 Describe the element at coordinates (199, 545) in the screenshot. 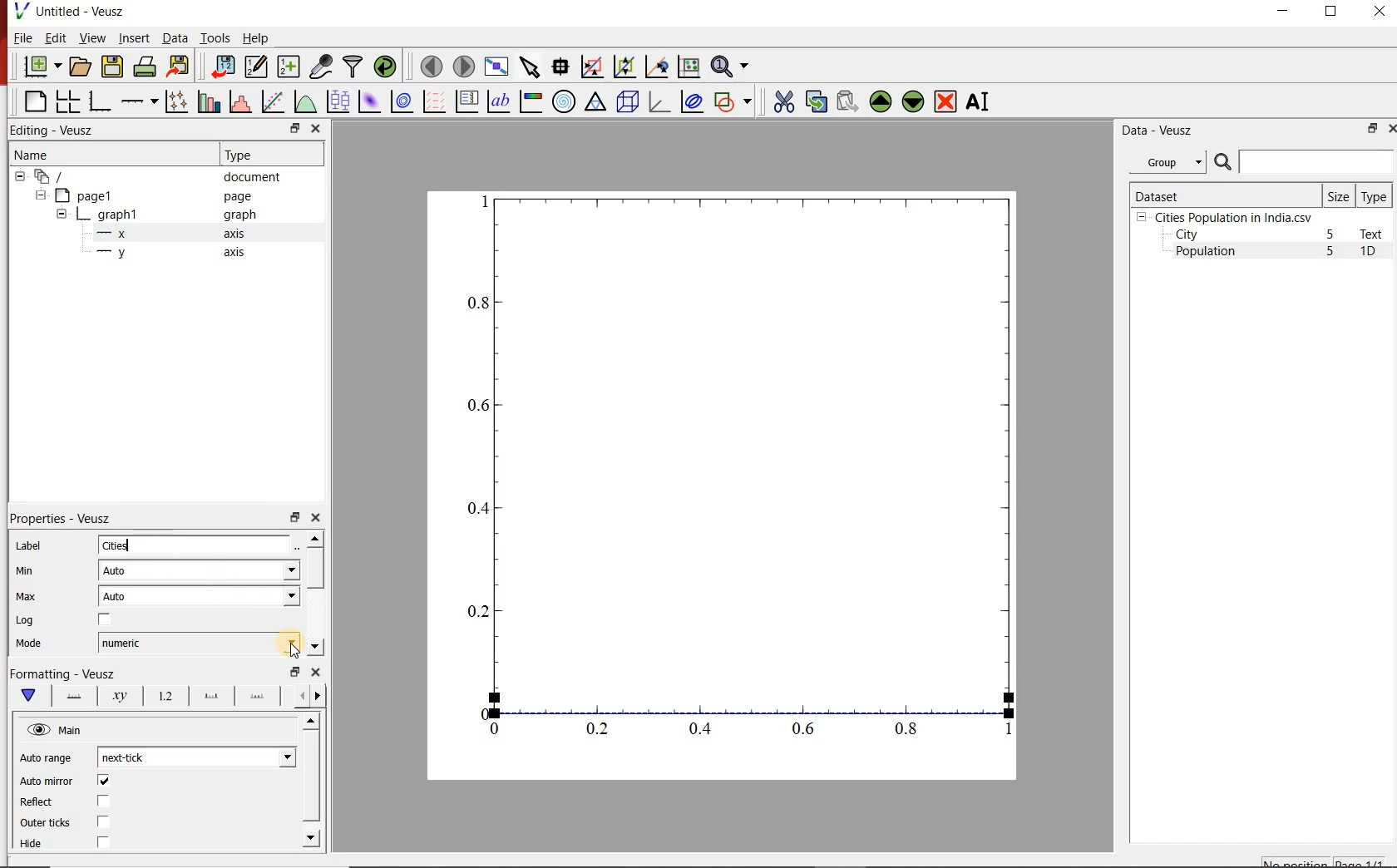

I see `Cities` at that location.